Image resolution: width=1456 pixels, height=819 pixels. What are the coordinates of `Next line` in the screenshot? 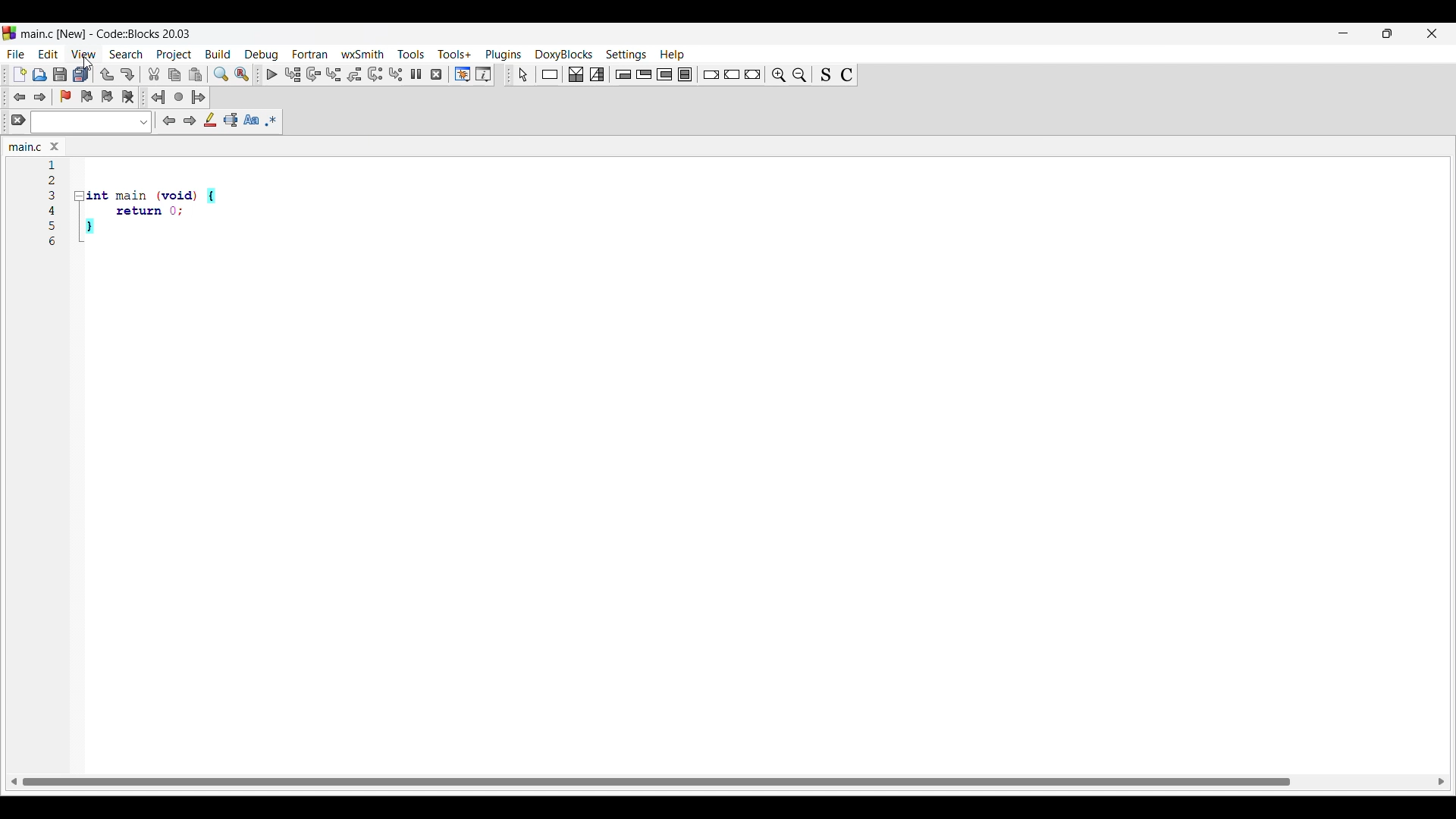 It's located at (313, 74).